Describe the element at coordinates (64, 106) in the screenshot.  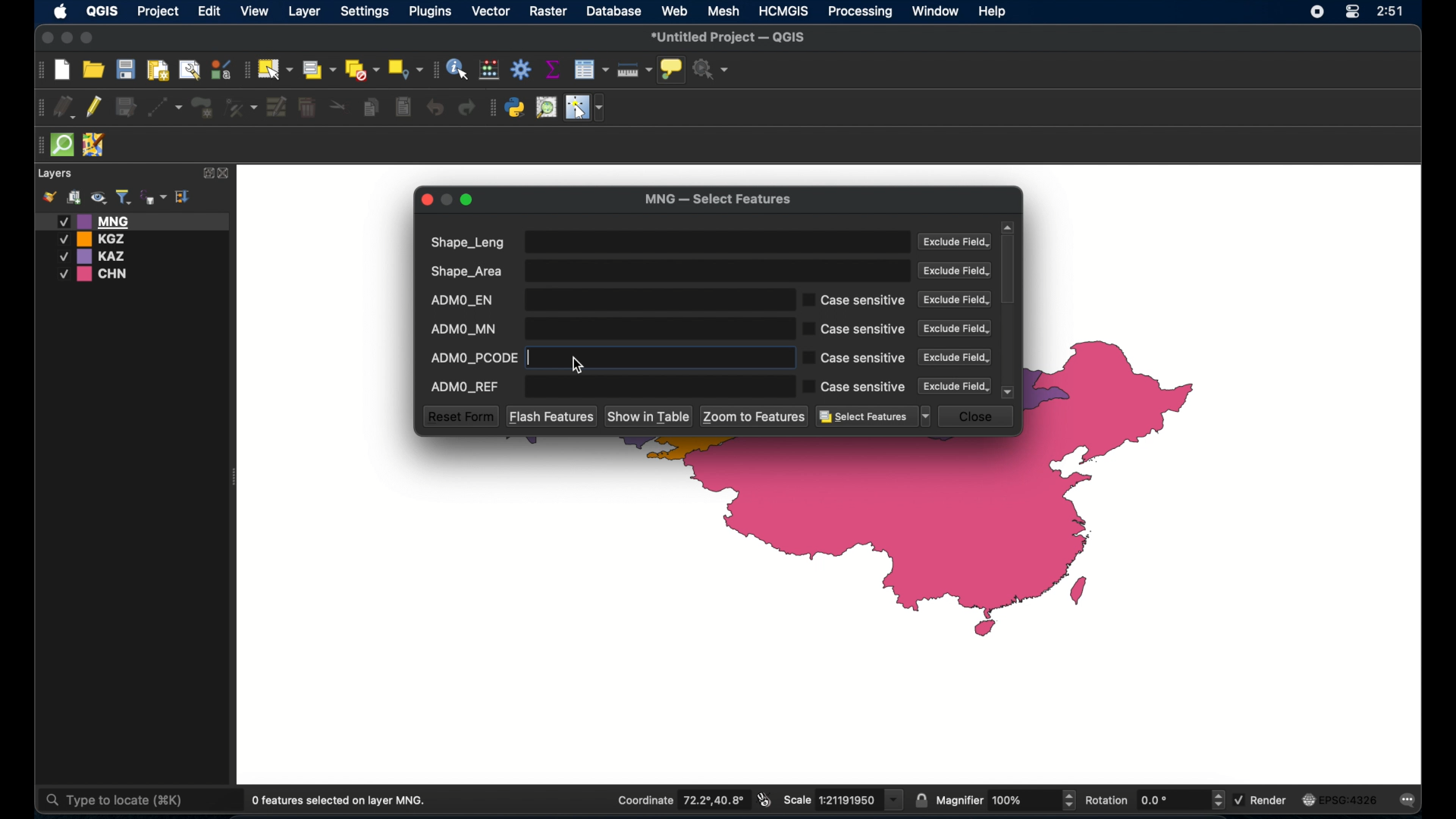
I see `current edits` at that location.